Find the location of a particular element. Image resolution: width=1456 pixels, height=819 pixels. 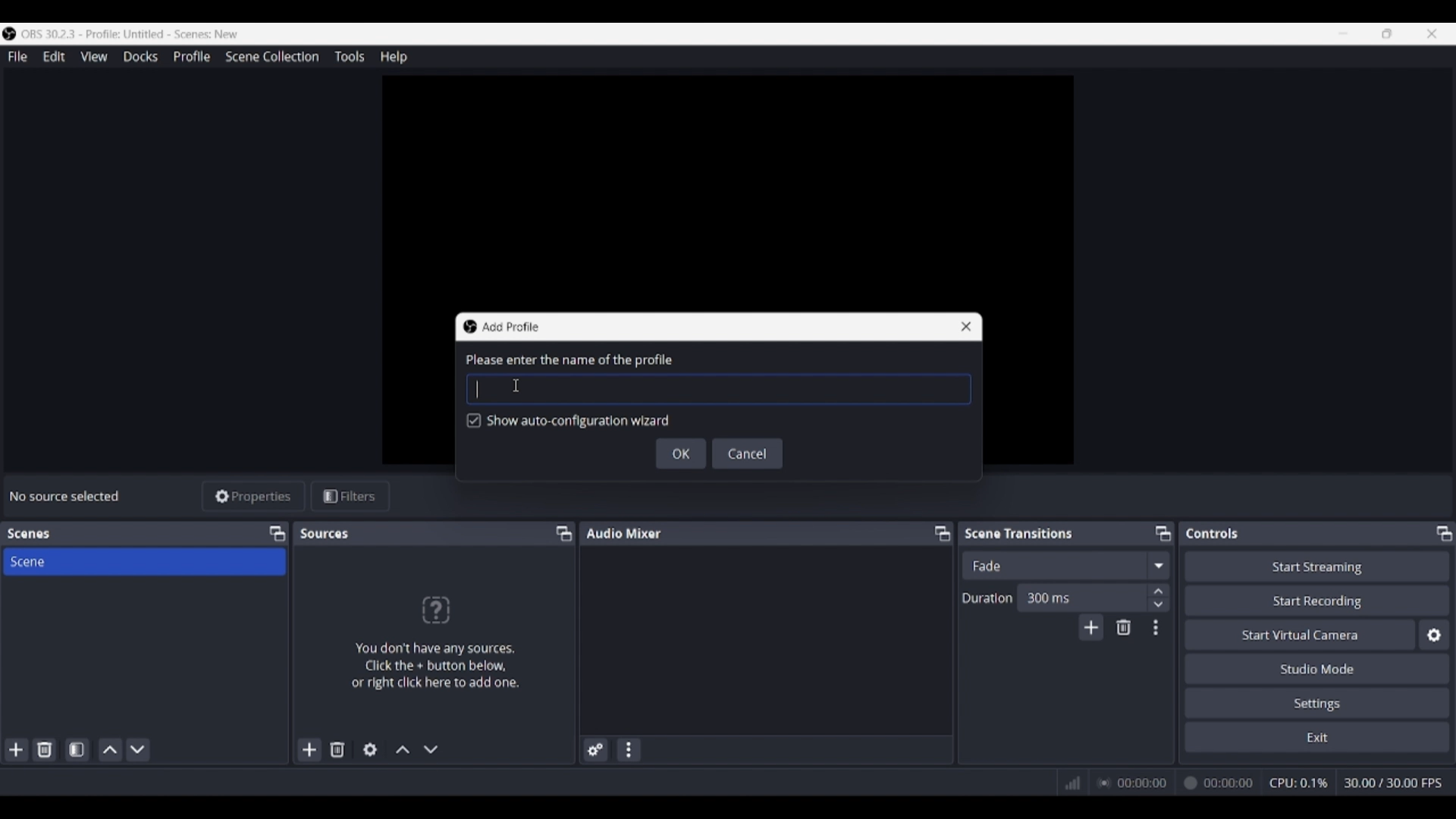

Add source is located at coordinates (310, 749).